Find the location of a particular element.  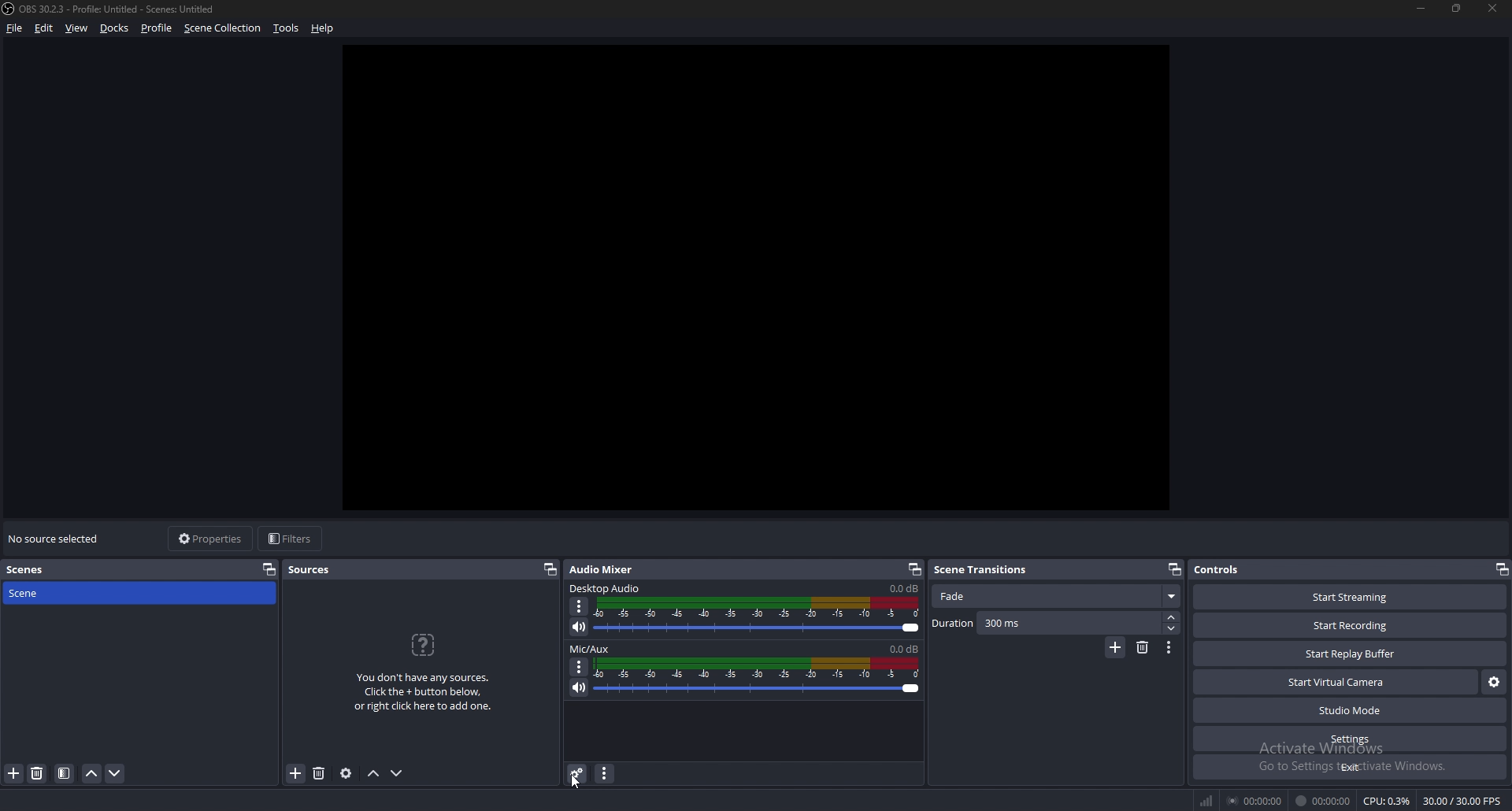

00:00:00 is located at coordinates (1255, 802).